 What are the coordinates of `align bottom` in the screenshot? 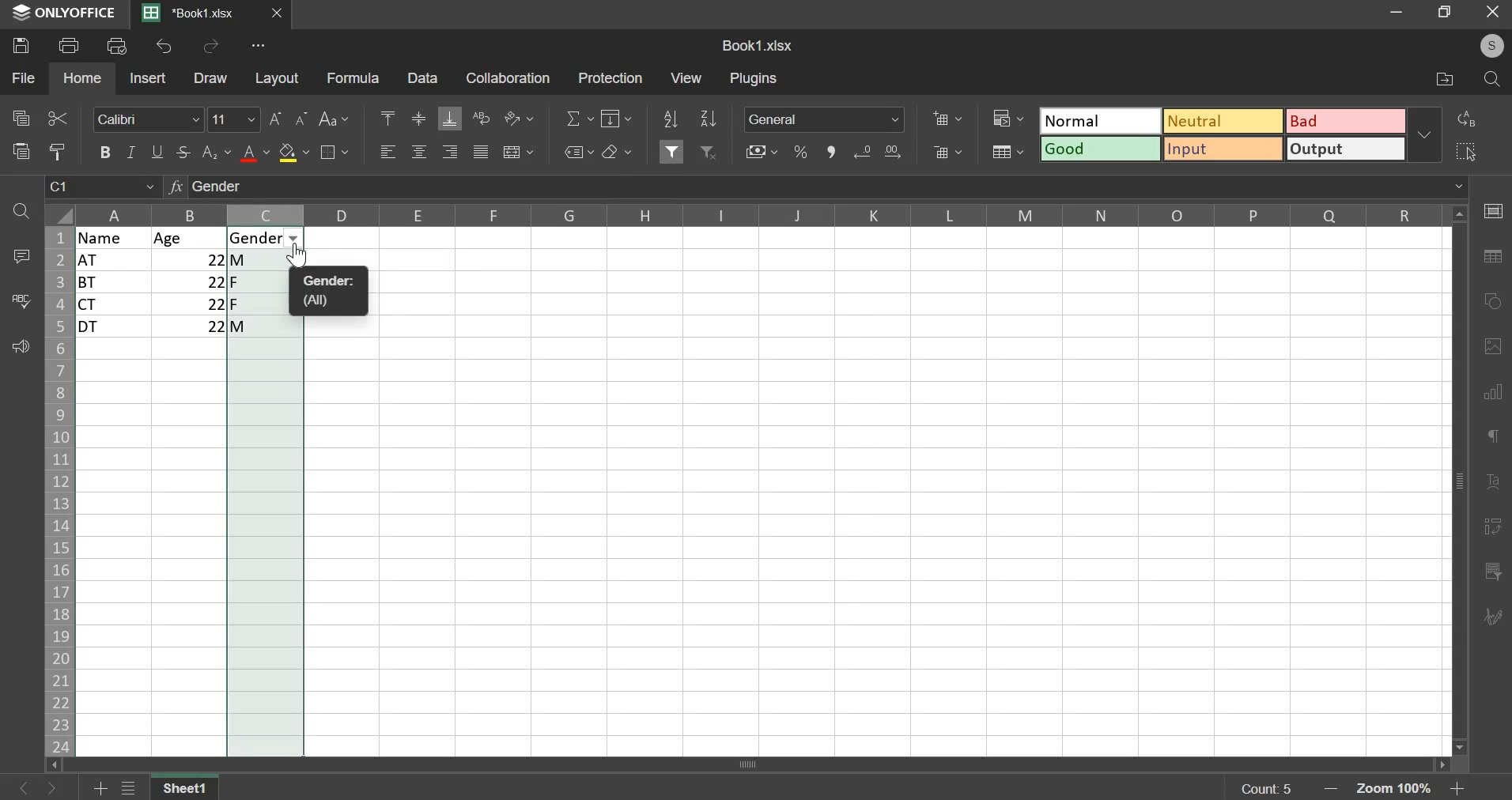 It's located at (449, 119).